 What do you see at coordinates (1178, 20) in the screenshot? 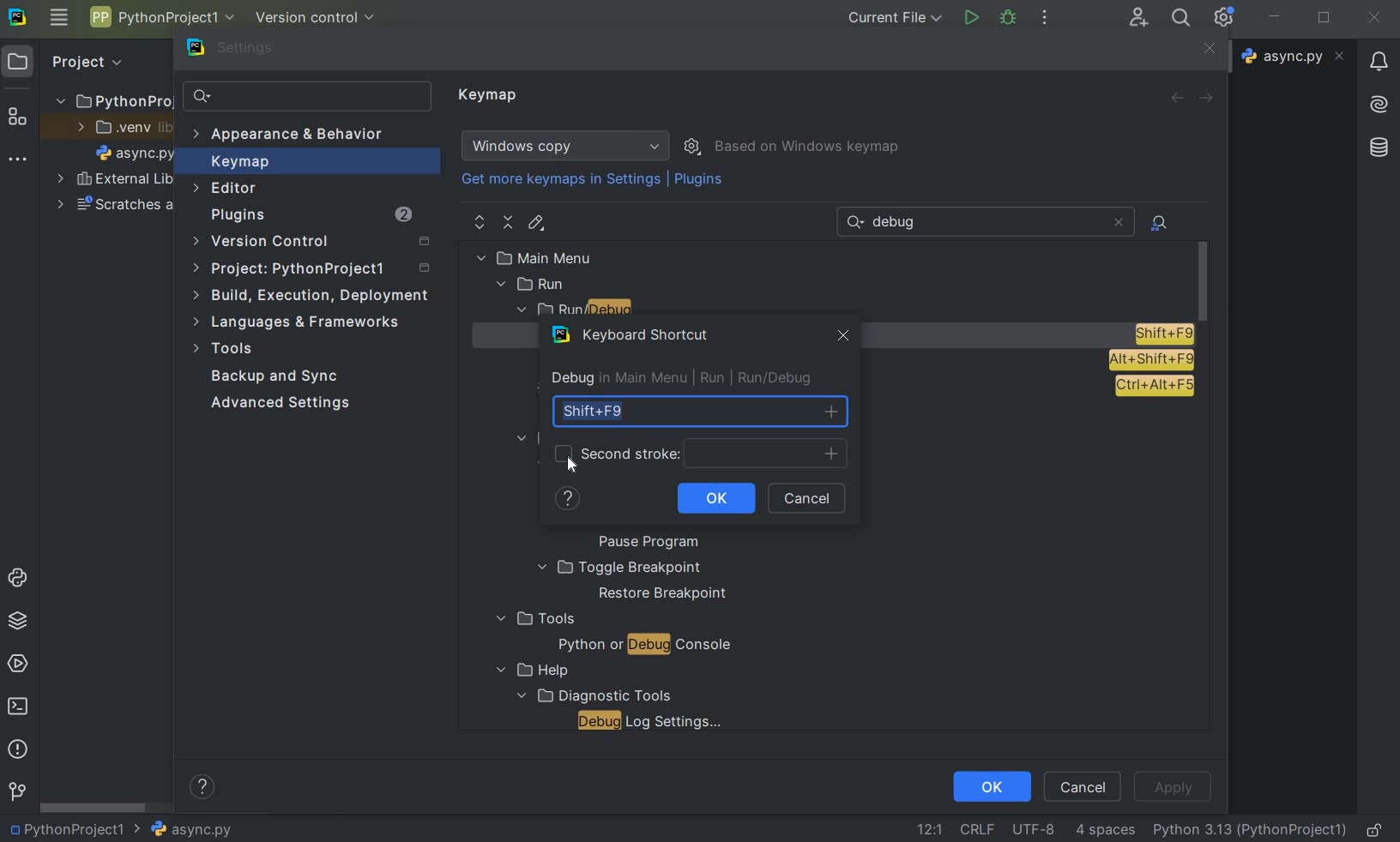
I see `search everywhere` at bounding box center [1178, 20].